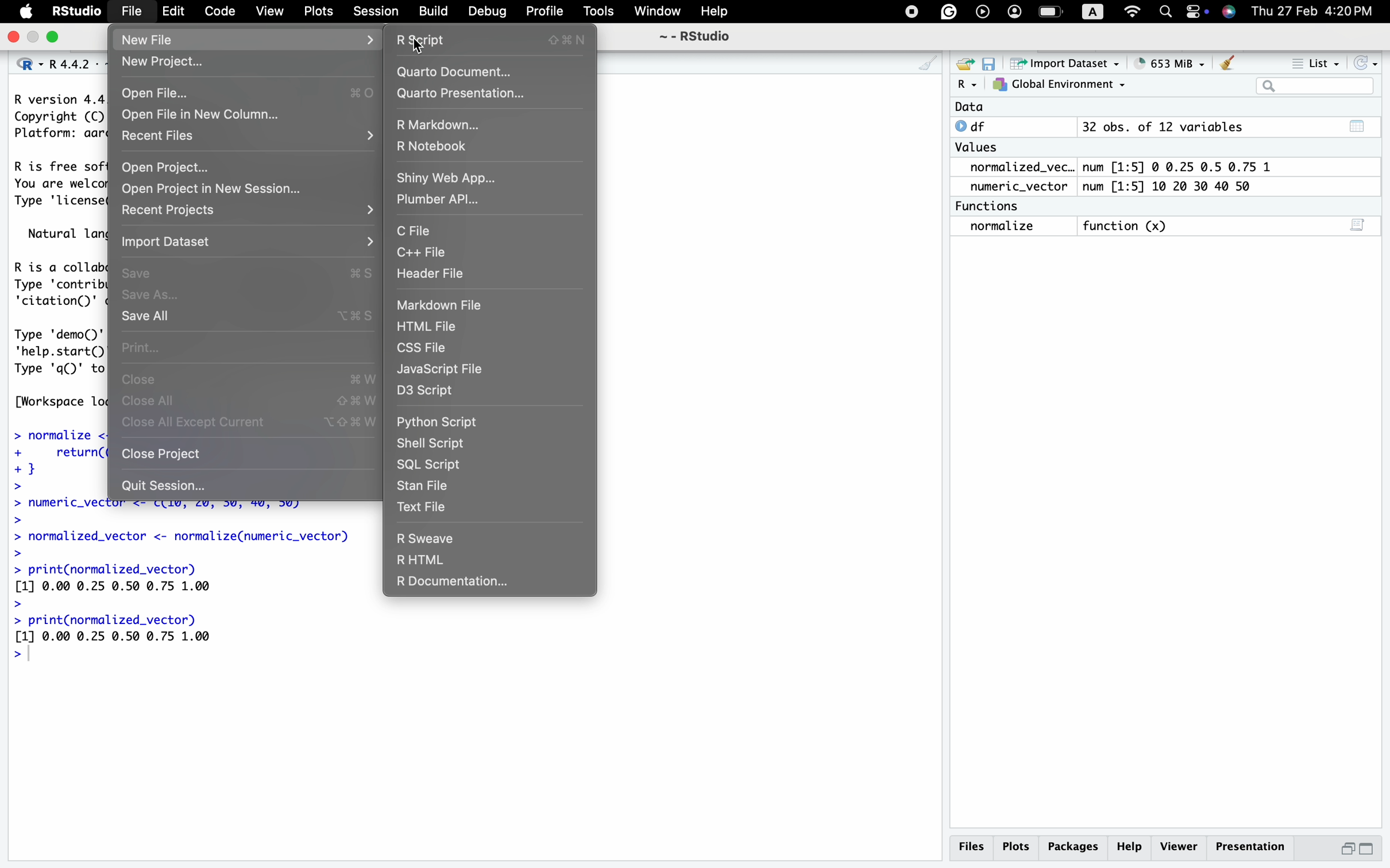 Image resolution: width=1390 pixels, height=868 pixels. I want to click on Header File, so click(434, 273).